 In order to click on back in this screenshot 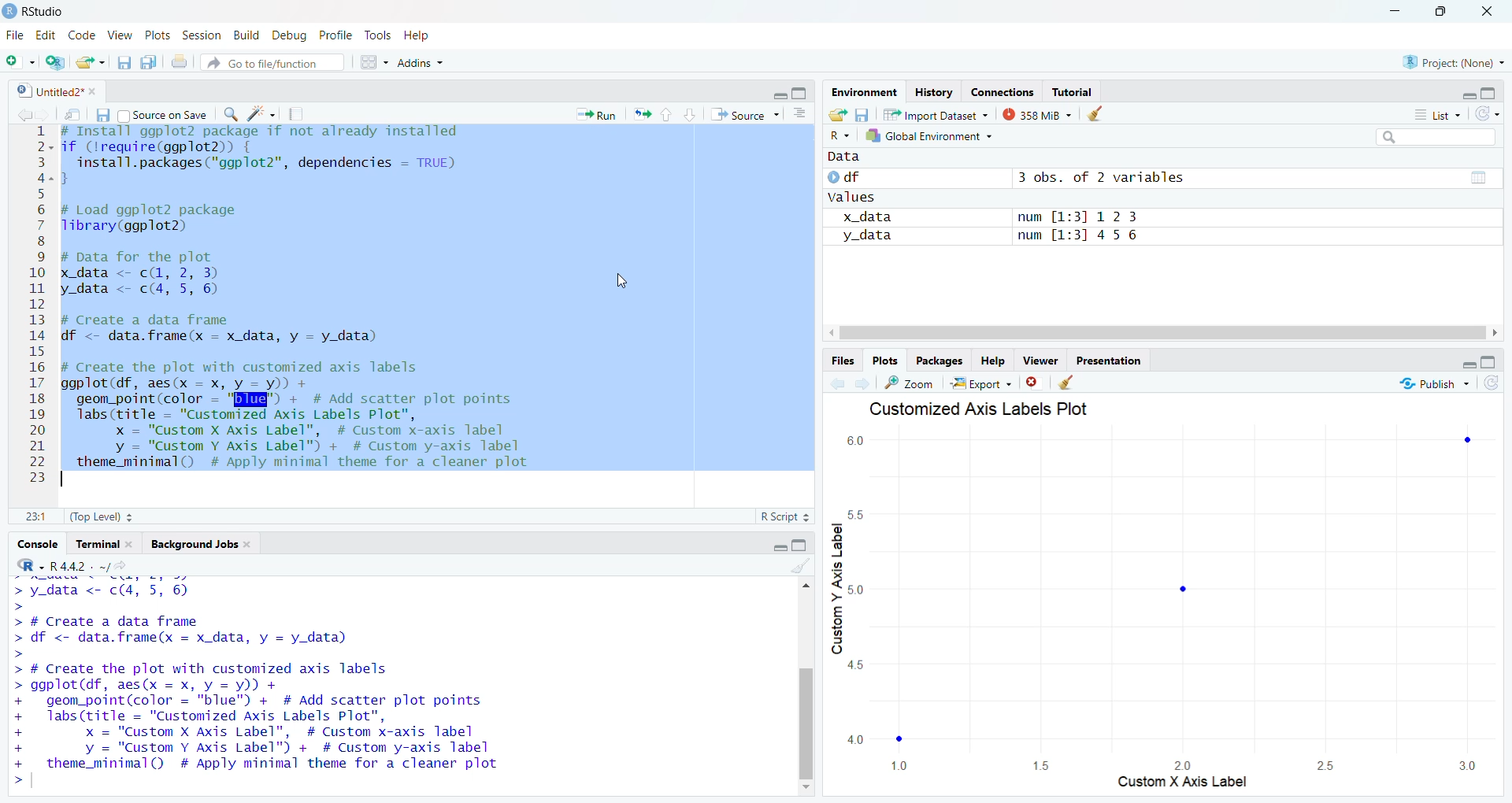, I will do `click(835, 385)`.